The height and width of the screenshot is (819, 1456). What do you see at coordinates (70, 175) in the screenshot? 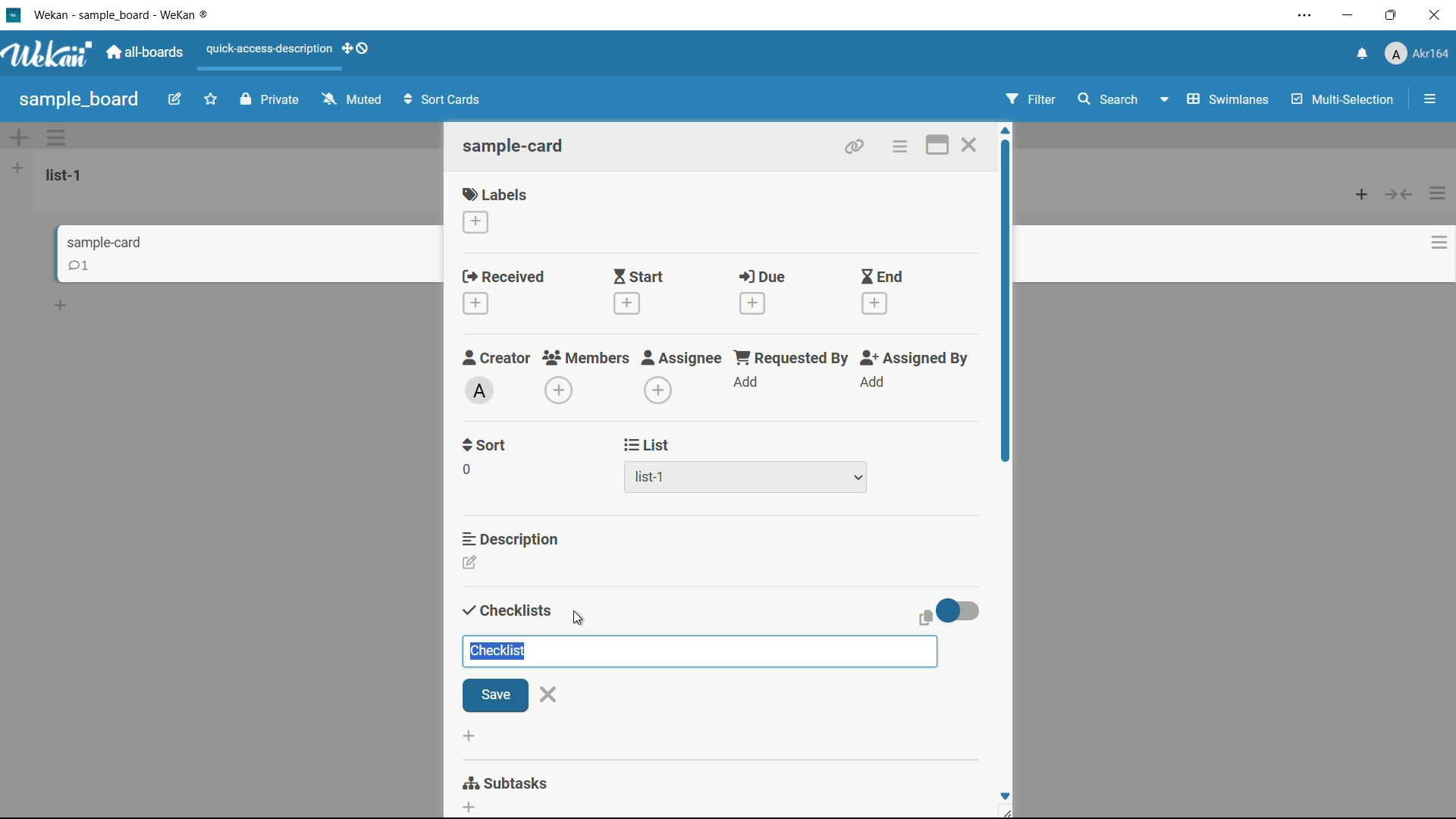
I see `list-1` at bounding box center [70, 175].